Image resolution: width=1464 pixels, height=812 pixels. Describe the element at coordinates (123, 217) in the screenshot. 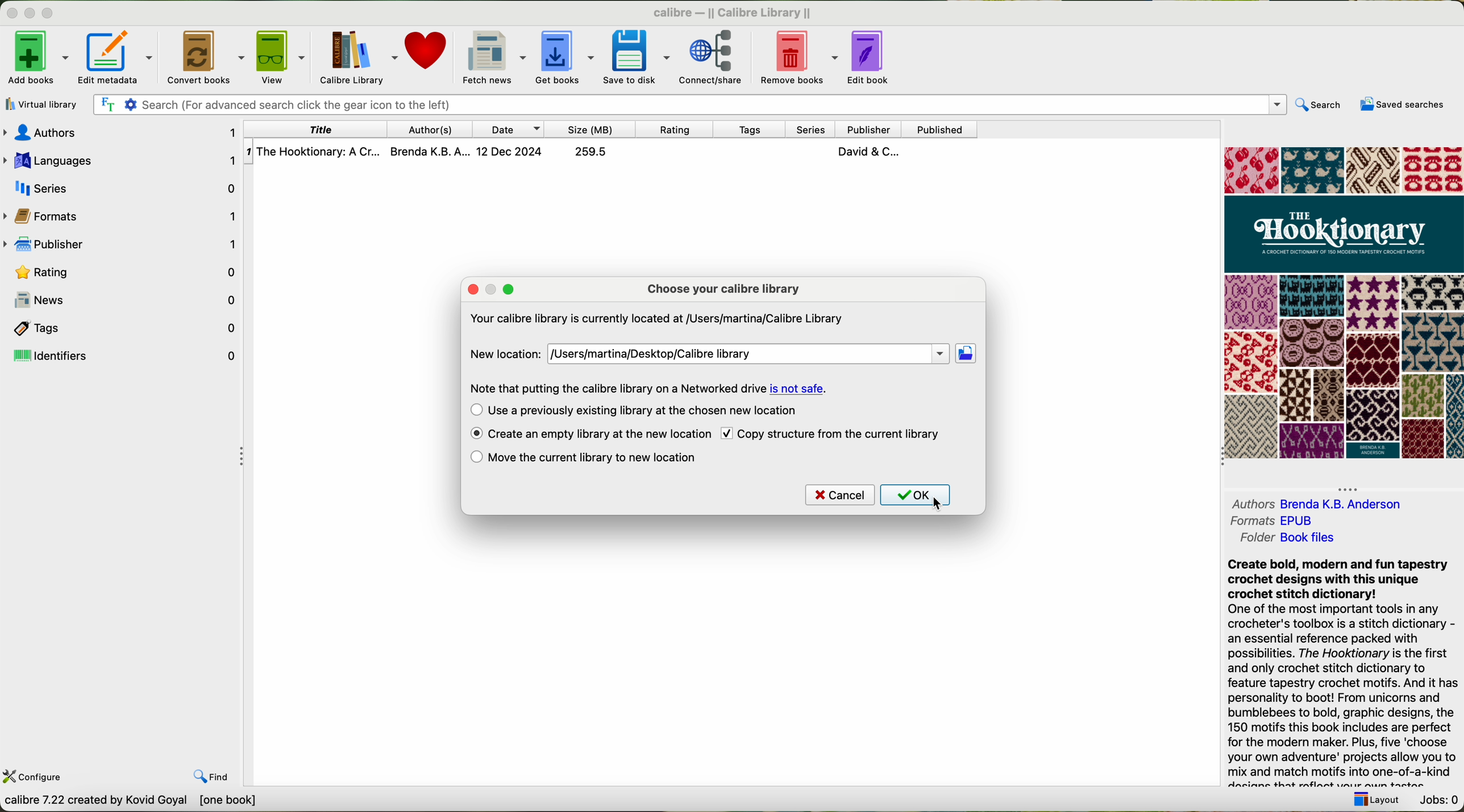

I see `formats` at that location.